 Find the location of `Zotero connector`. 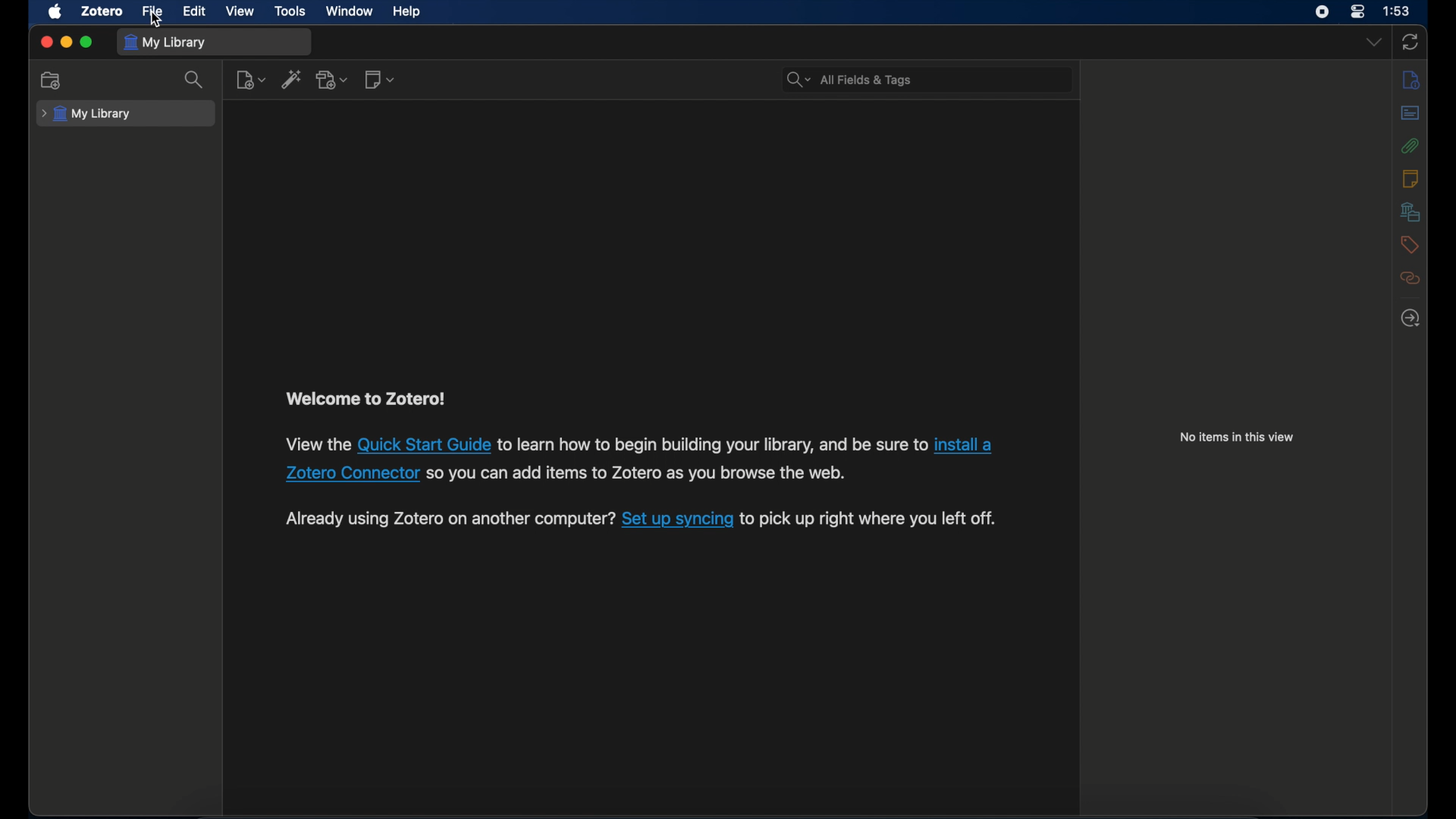

Zotero connector is located at coordinates (353, 473).